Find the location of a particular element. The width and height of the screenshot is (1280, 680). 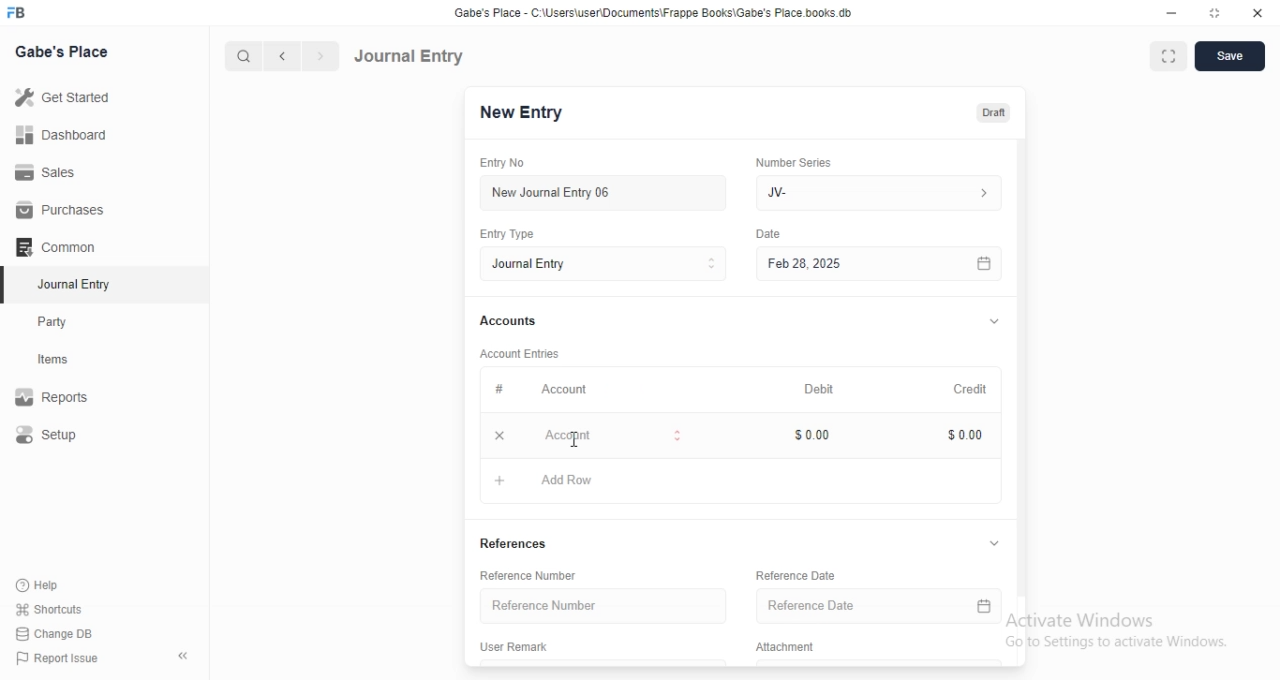

$000 is located at coordinates (967, 435).